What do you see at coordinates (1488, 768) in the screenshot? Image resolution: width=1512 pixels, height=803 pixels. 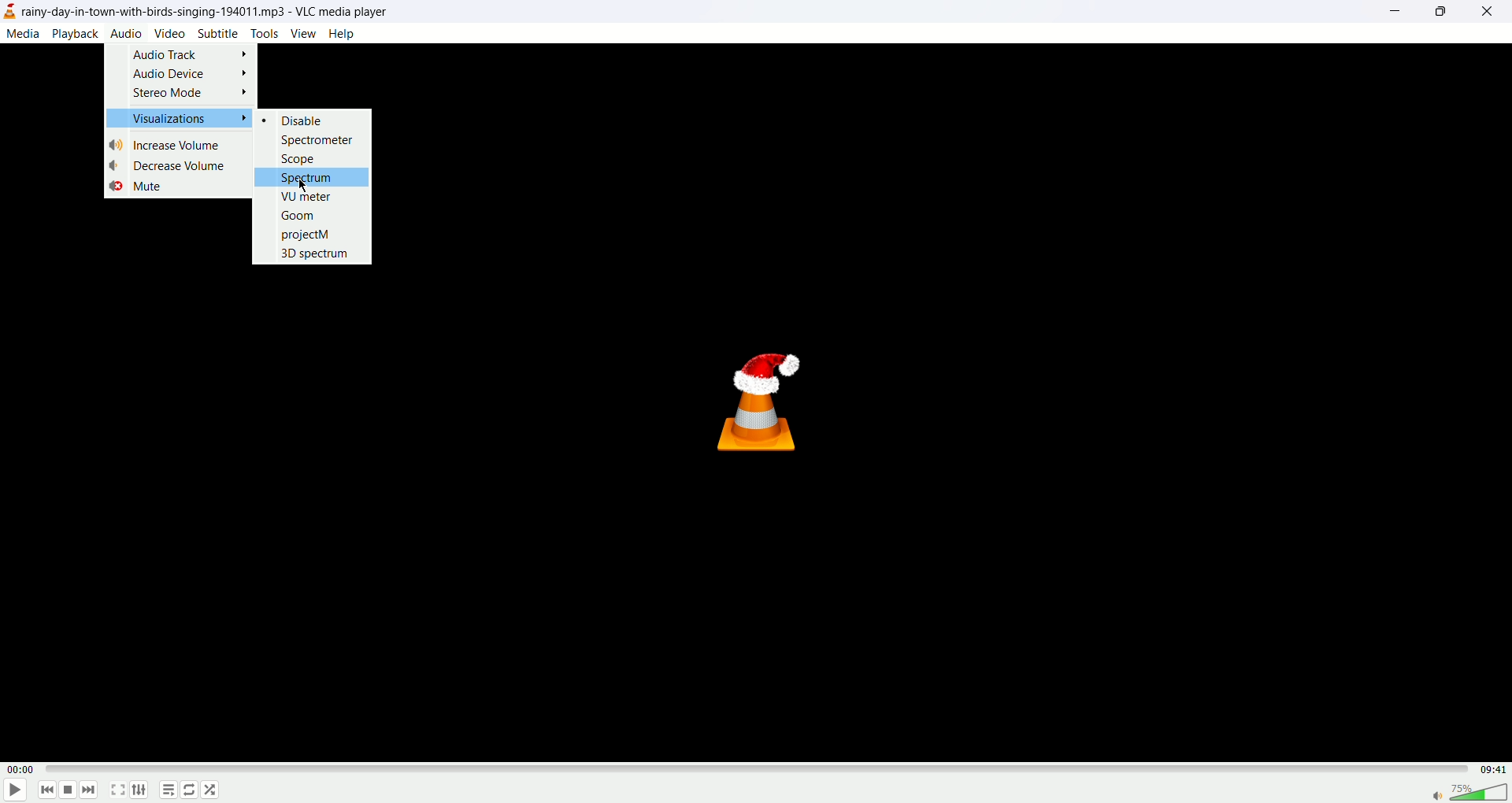 I see `total time` at bounding box center [1488, 768].